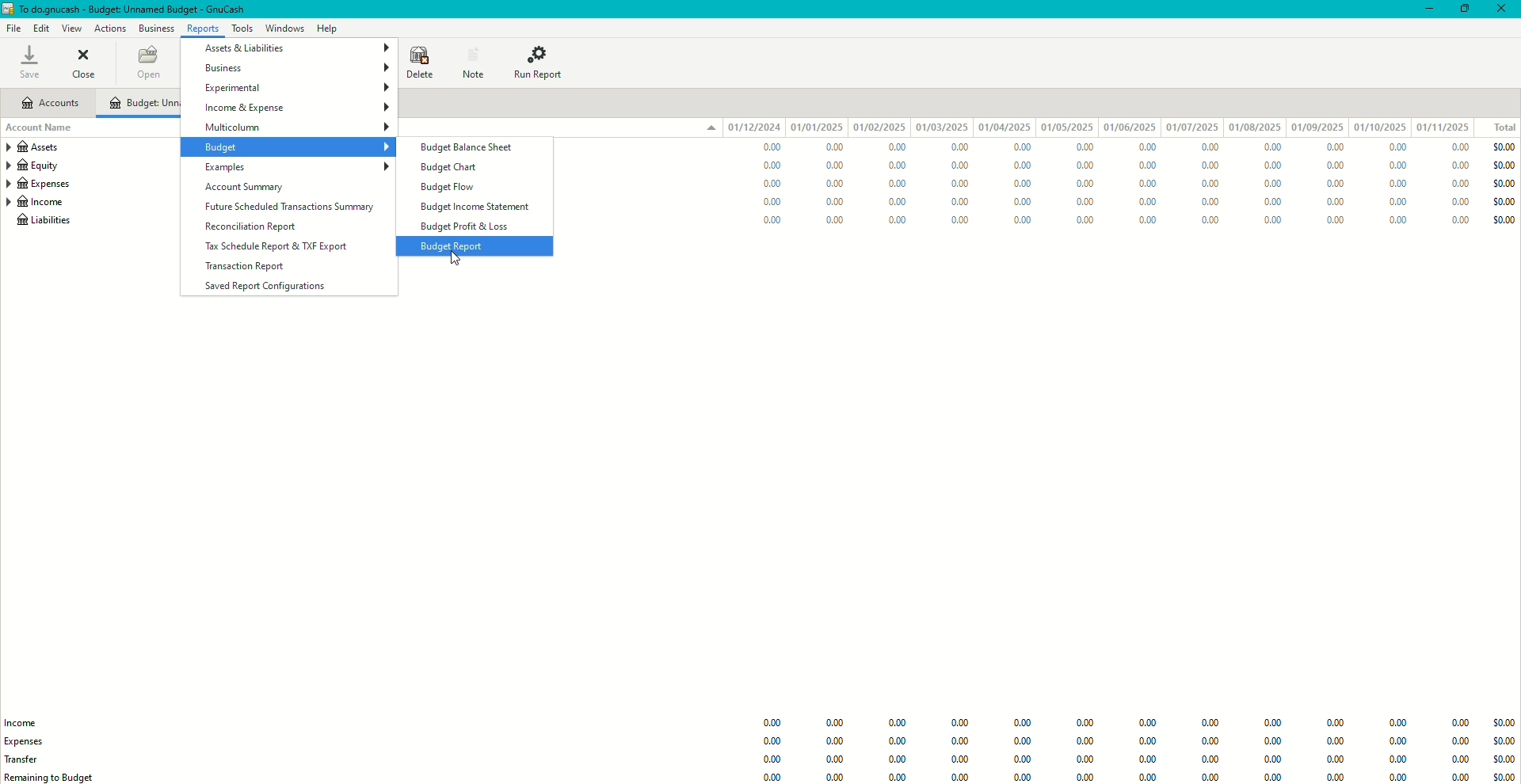  What do you see at coordinates (149, 63) in the screenshot?
I see `Open` at bounding box center [149, 63].